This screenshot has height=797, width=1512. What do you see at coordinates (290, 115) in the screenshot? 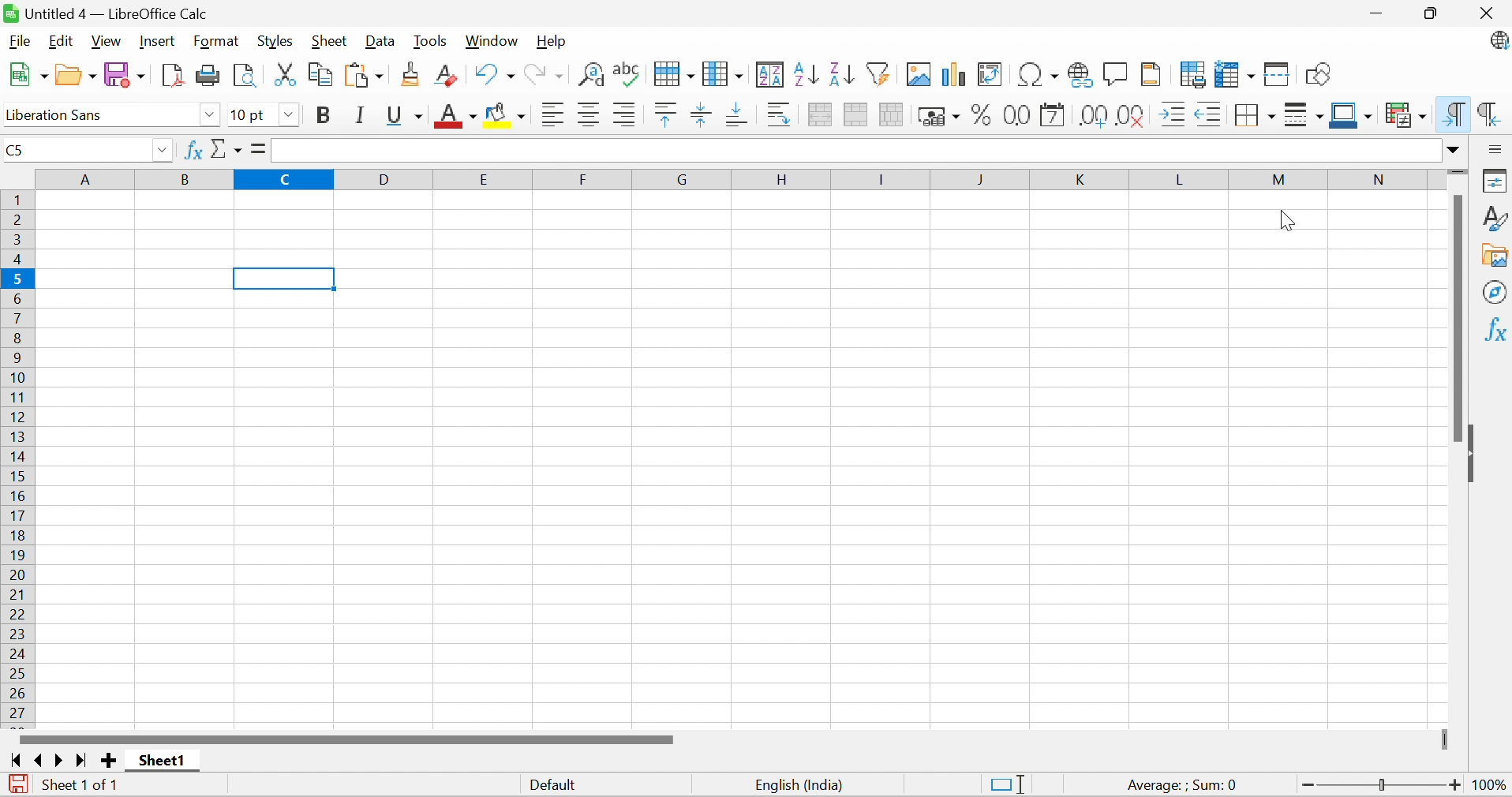
I see `Drop down` at bounding box center [290, 115].